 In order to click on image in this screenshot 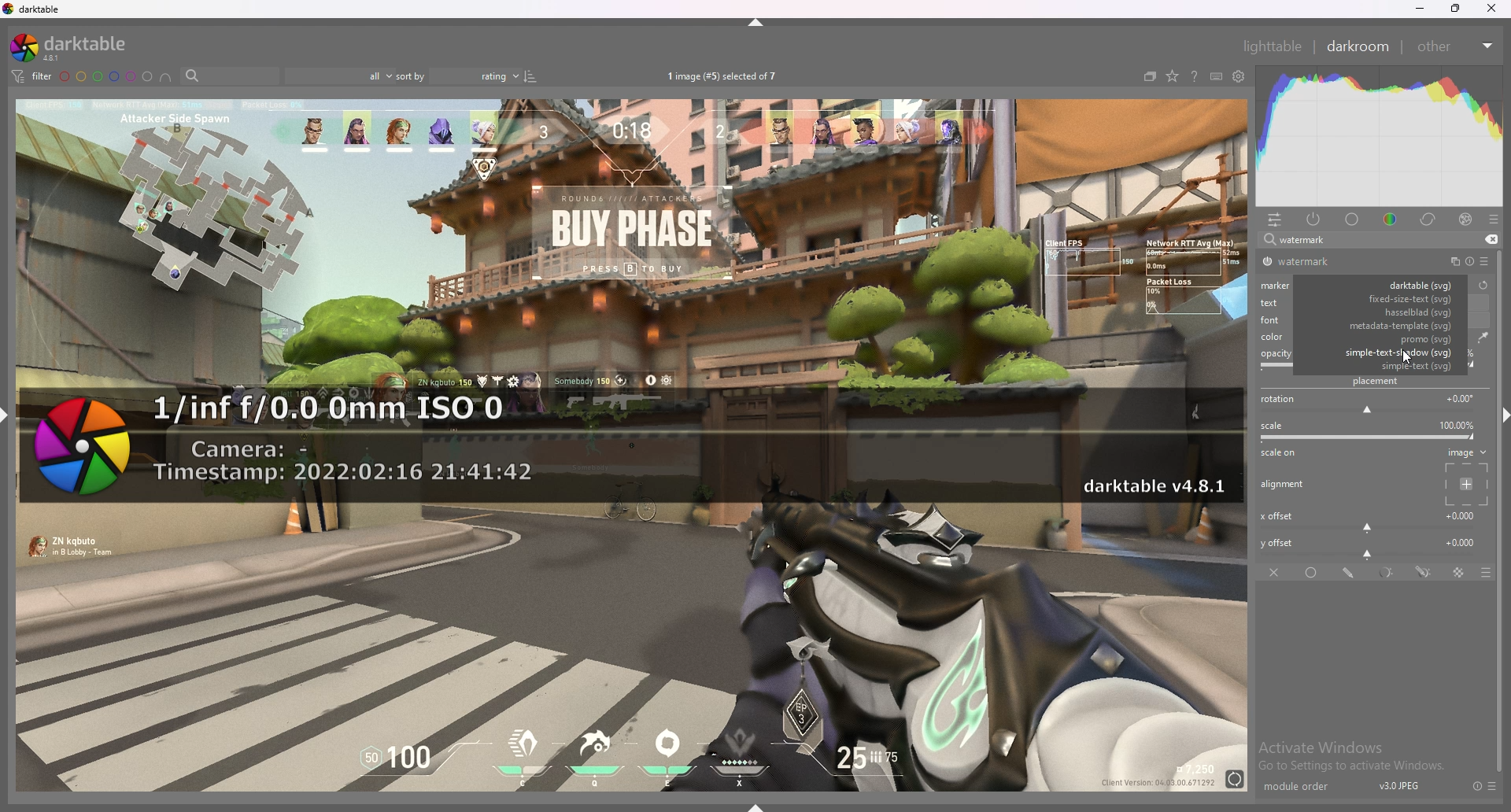, I will do `click(1464, 476)`.